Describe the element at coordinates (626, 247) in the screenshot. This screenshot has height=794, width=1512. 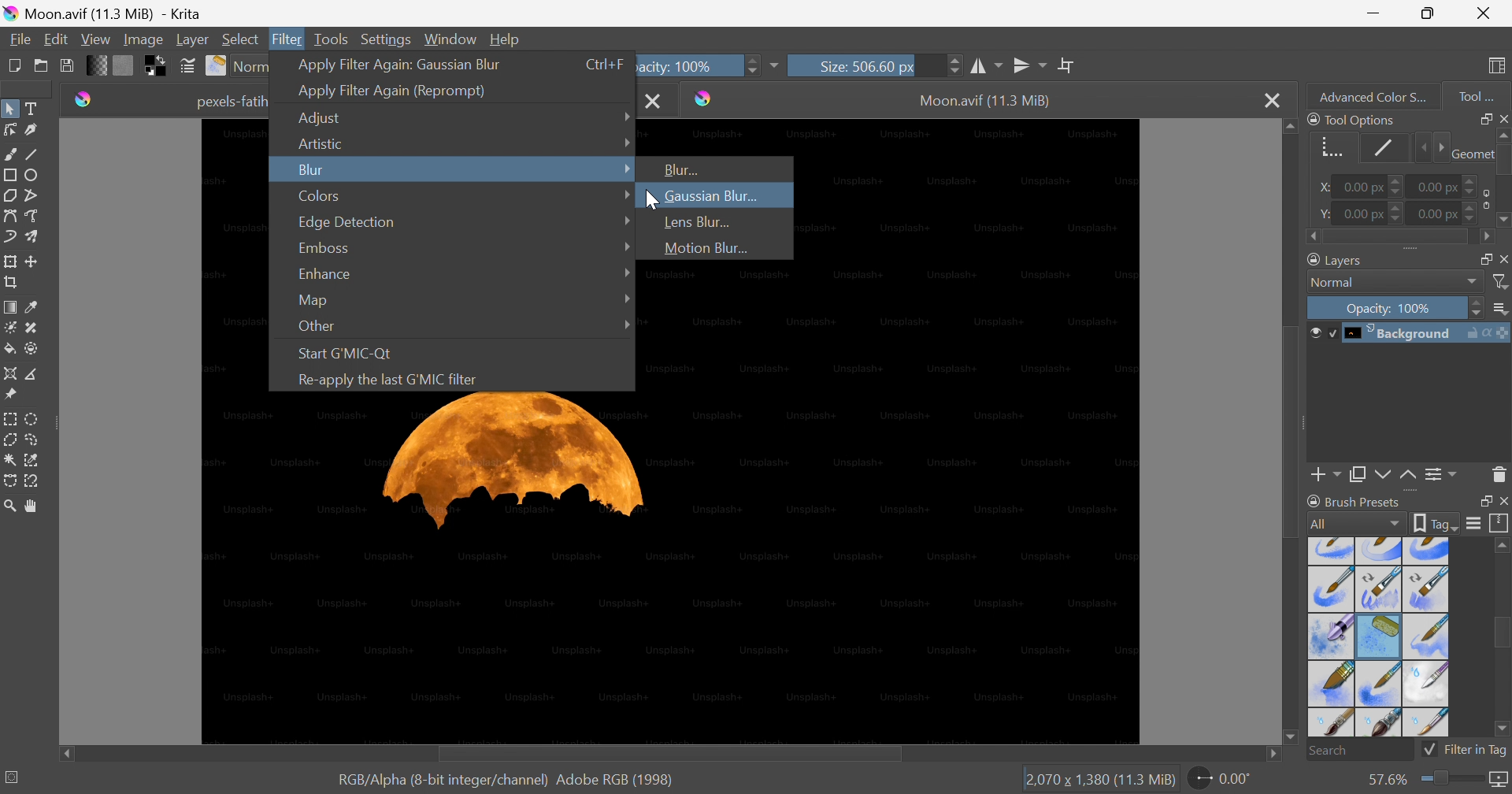
I see `Drop Down` at that location.